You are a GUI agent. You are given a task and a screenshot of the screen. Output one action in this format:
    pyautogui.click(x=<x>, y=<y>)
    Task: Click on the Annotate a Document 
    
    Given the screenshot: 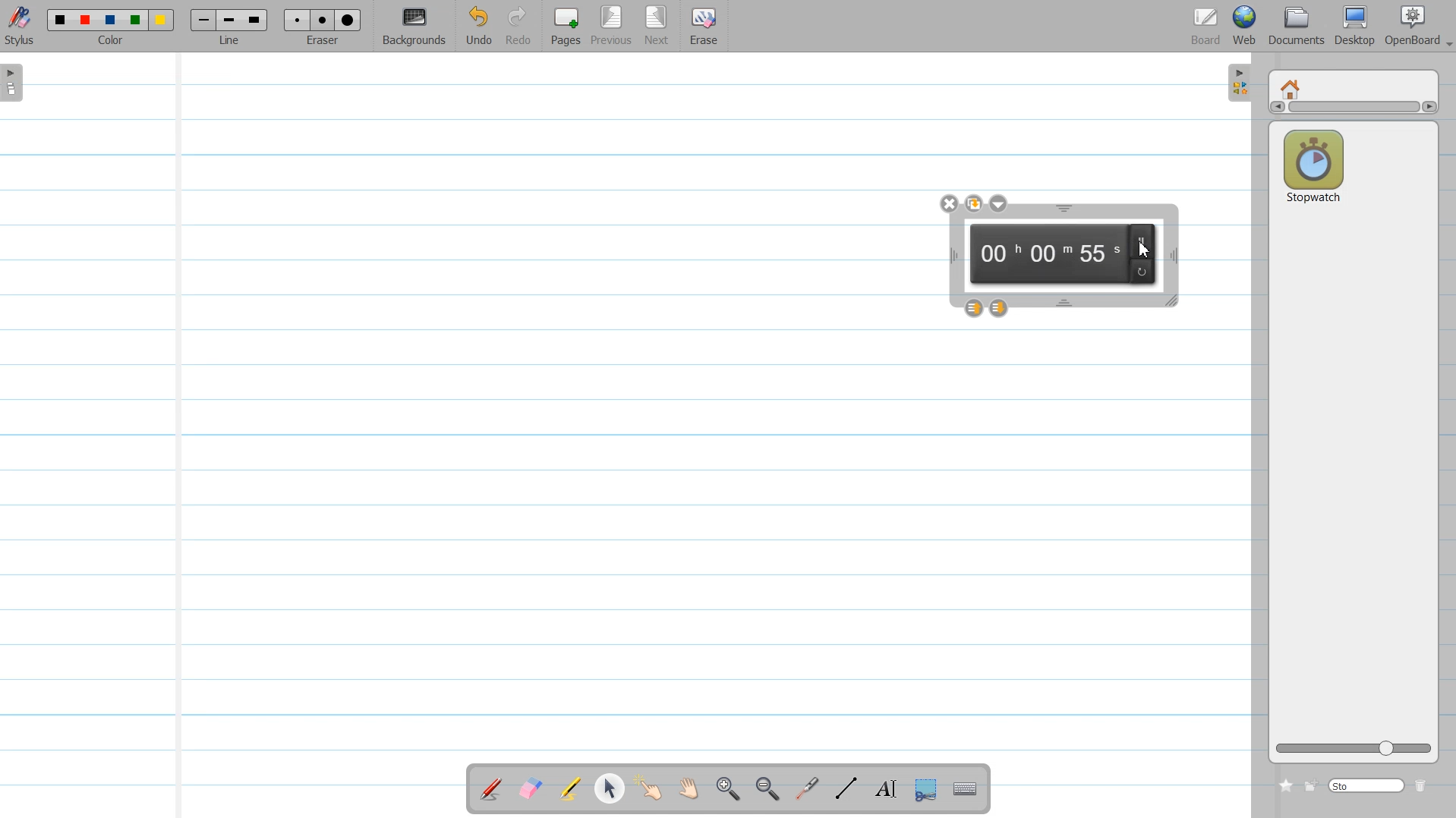 What is the action you would take?
    pyautogui.click(x=491, y=788)
    